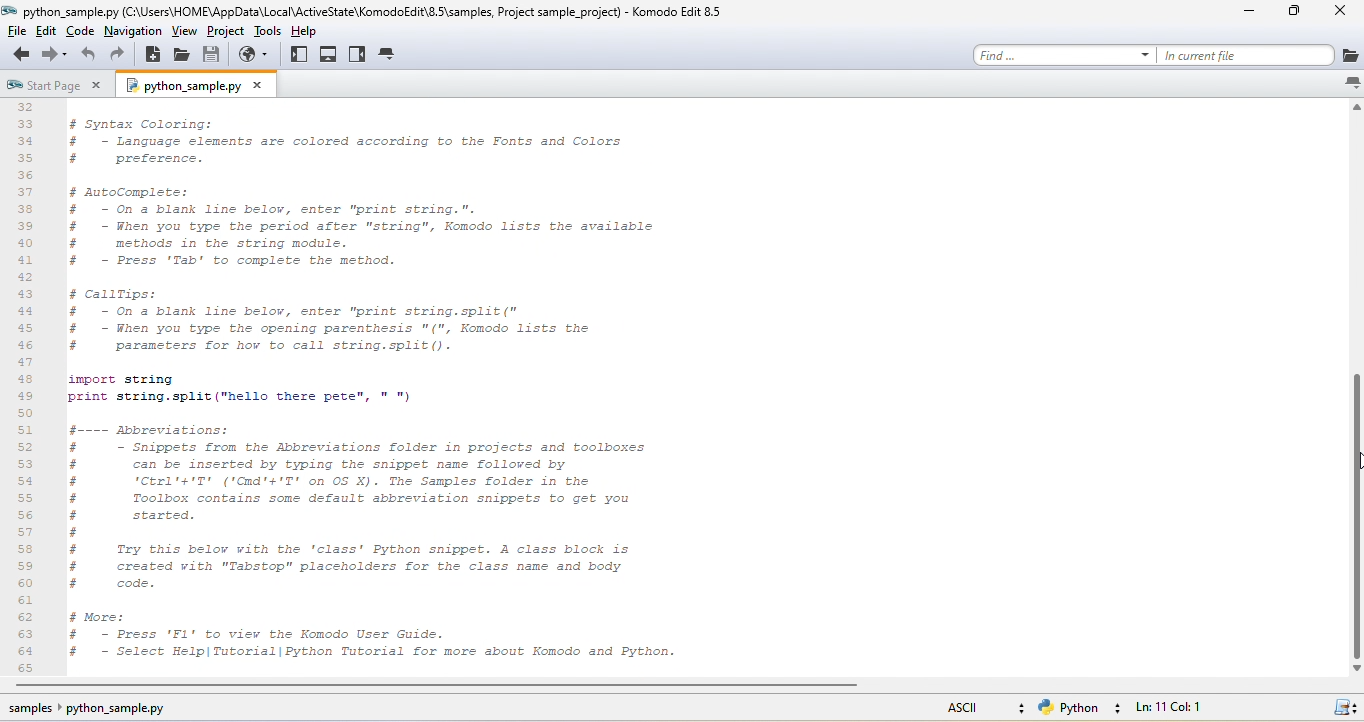 Image resolution: width=1364 pixels, height=722 pixels. What do you see at coordinates (55, 56) in the screenshot?
I see `forward` at bounding box center [55, 56].